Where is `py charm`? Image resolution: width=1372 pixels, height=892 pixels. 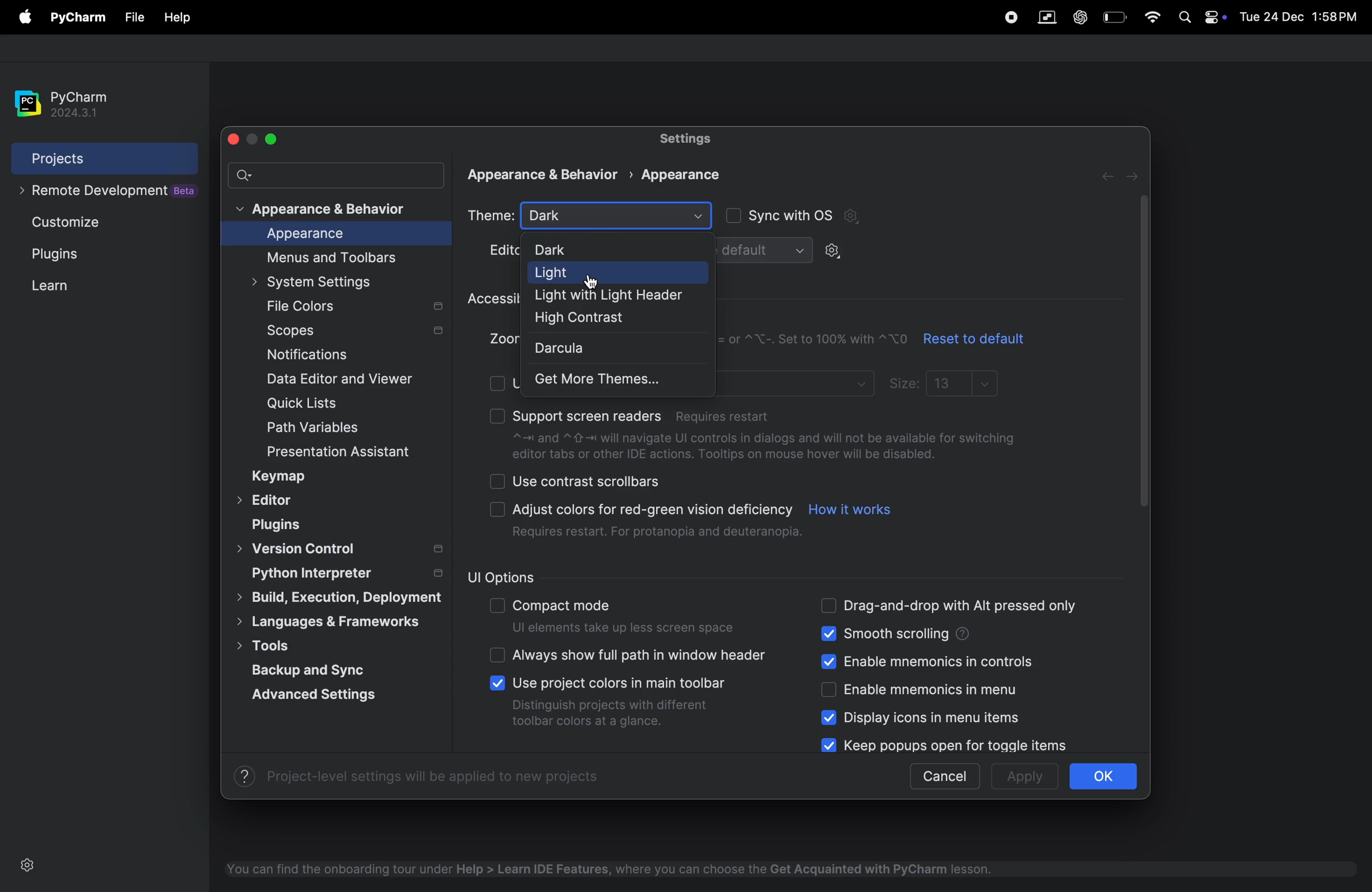
py charm is located at coordinates (78, 16).